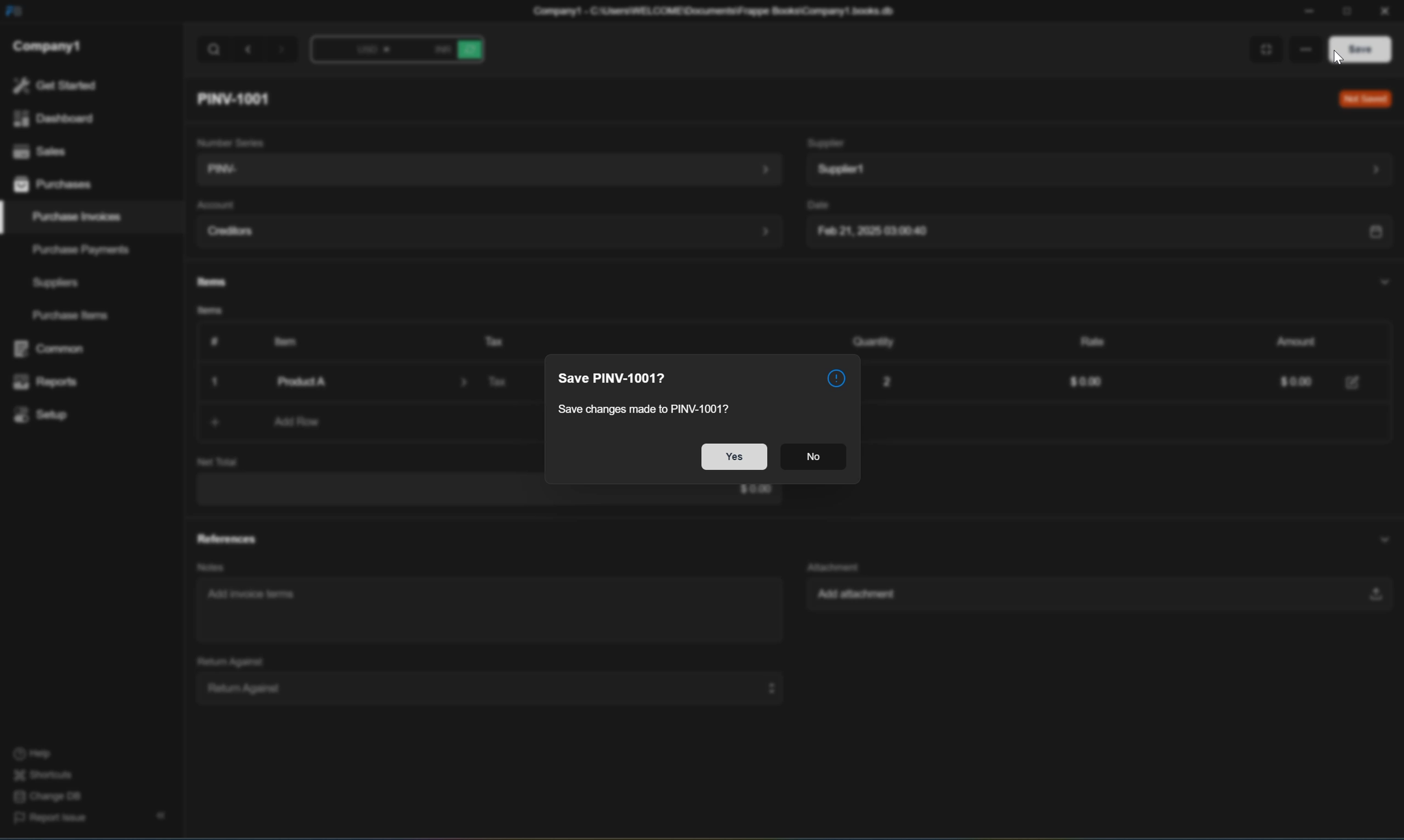 Image resolution: width=1404 pixels, height=840 pixels. Describe the element at coordinates (1091, 597) in the screenshot. I see `Add attachment` at that location.